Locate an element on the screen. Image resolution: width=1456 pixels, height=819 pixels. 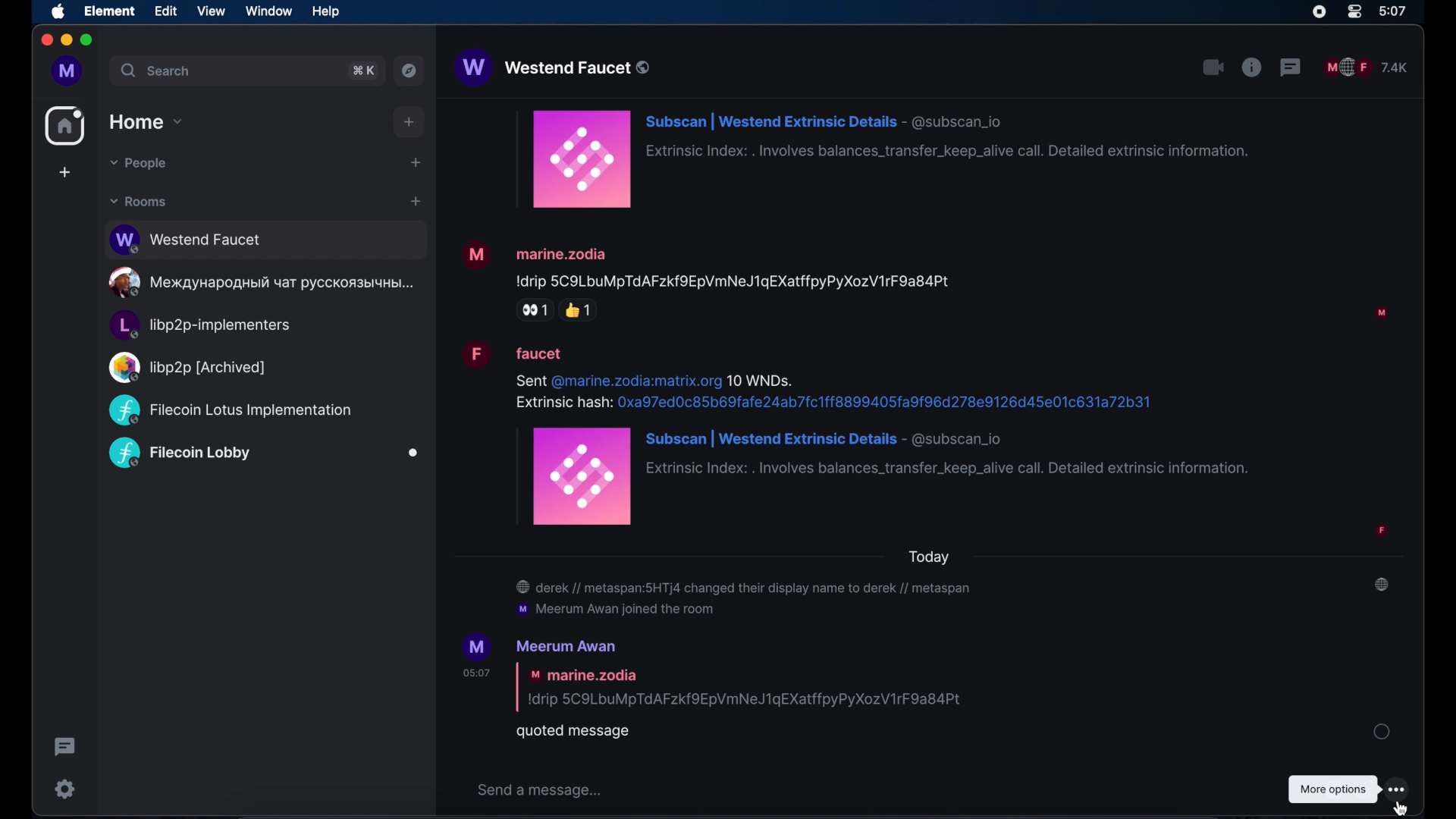
message is located at coordinates (932, 438).